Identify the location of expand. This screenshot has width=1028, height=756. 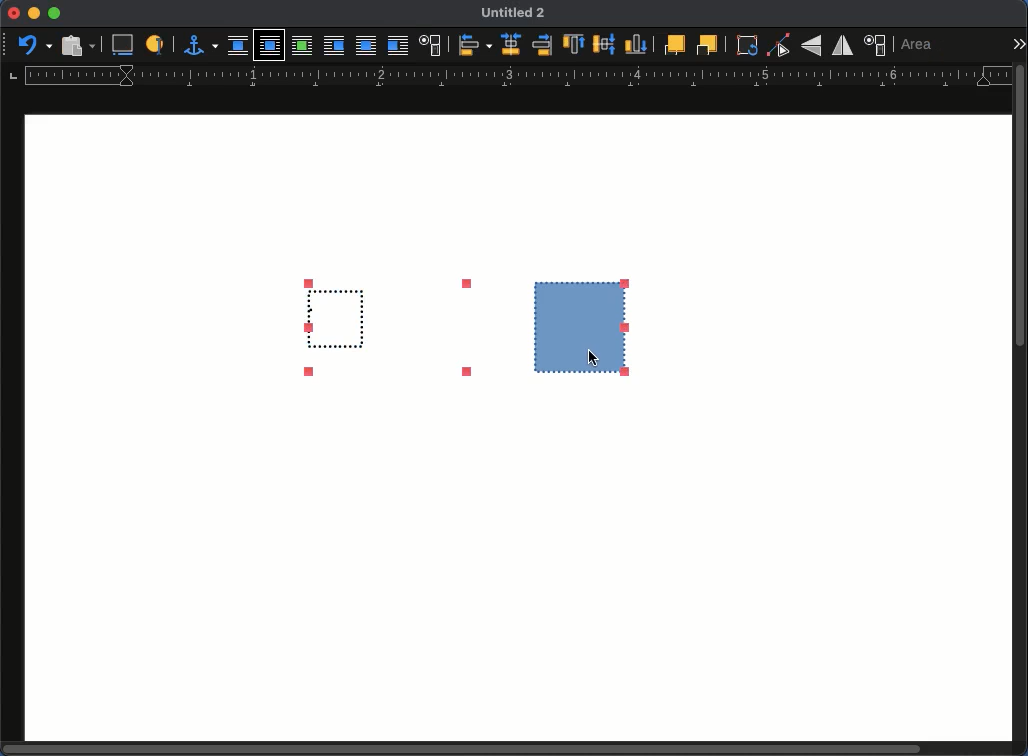
(1018, 44).